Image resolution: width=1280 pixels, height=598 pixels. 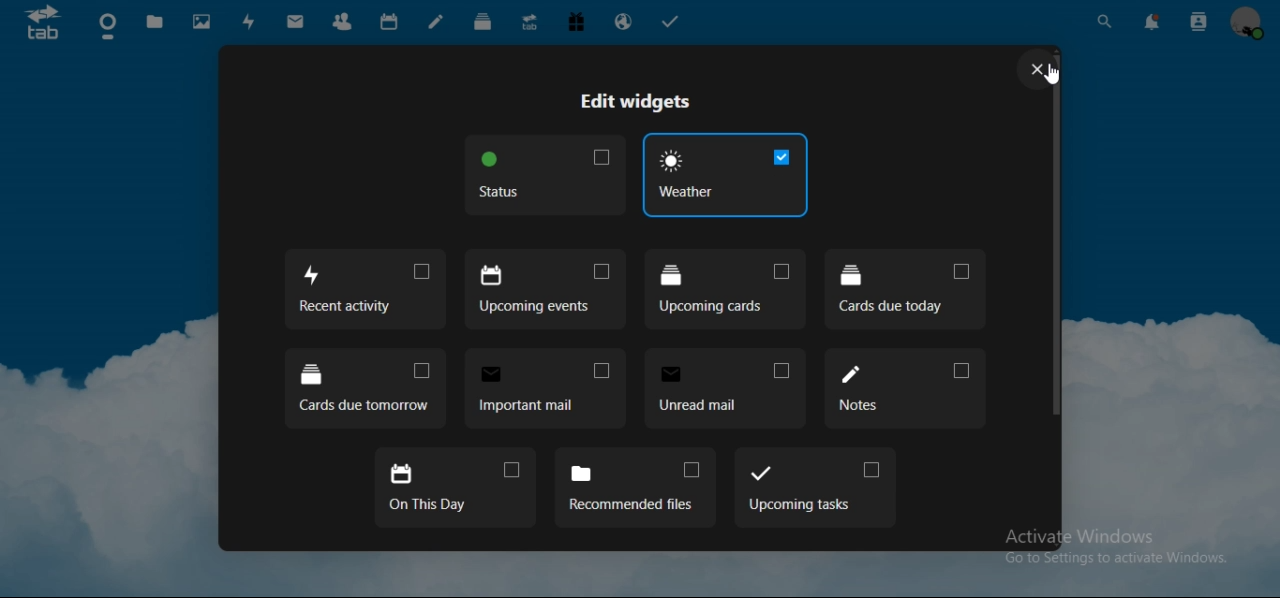 What do you see at coordinates (390, 22) in the screenshot?
I see `calendar` at bounding box center [390, 22].